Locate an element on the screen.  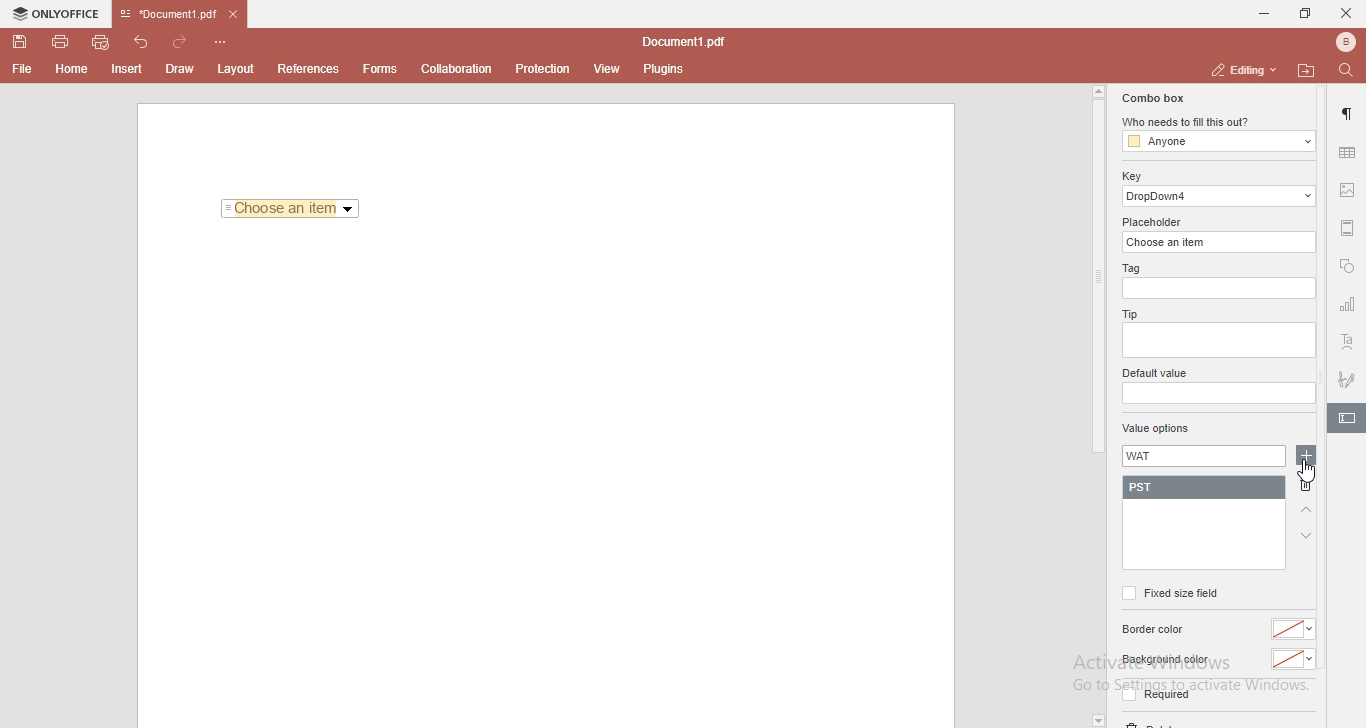
placeholder is located at coordinates (1155, 222).